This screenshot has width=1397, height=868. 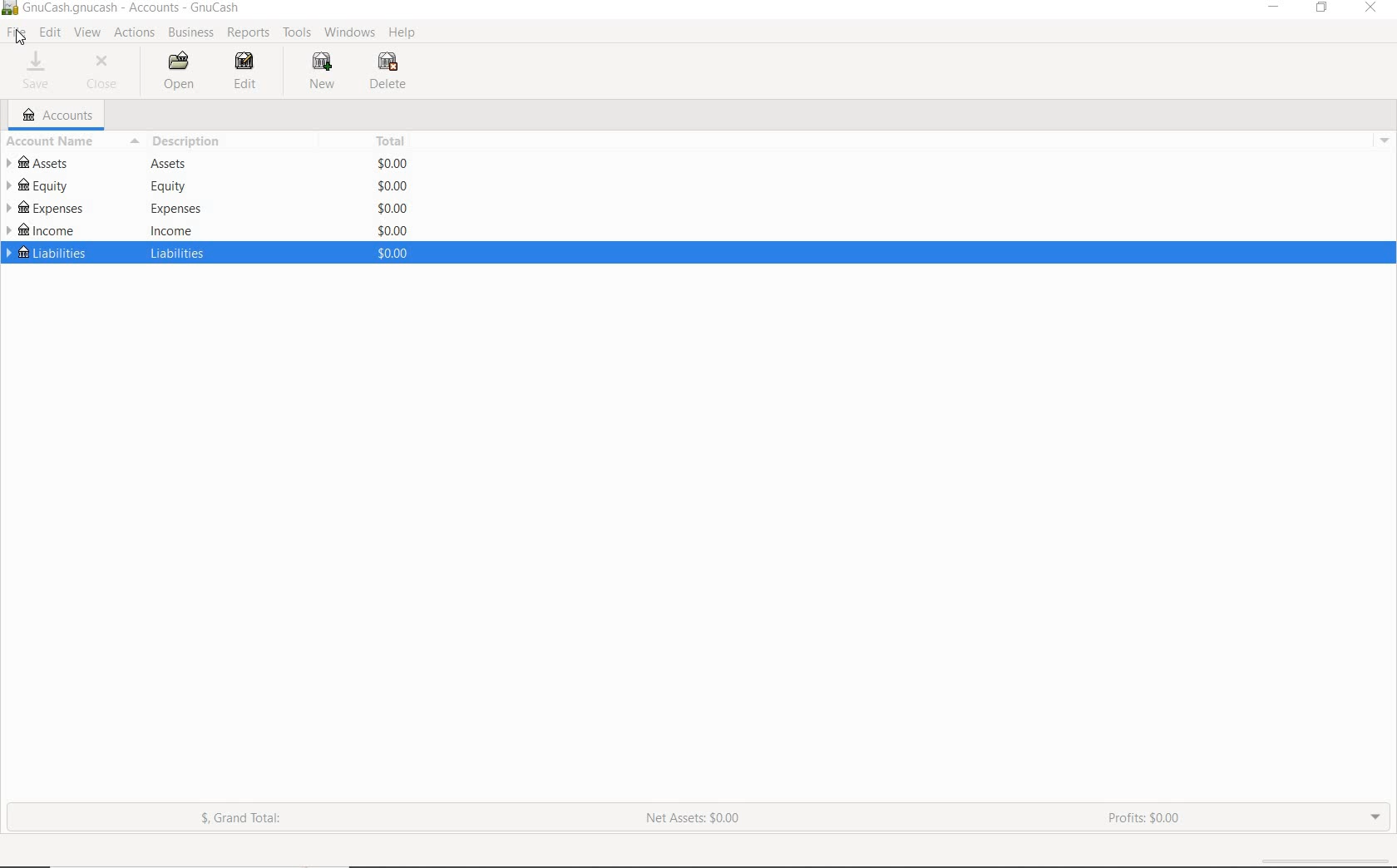 What do you see at coordinates (249, 33) in the screenshot?
I see `REPORTS` at bounding box center [249, 33].